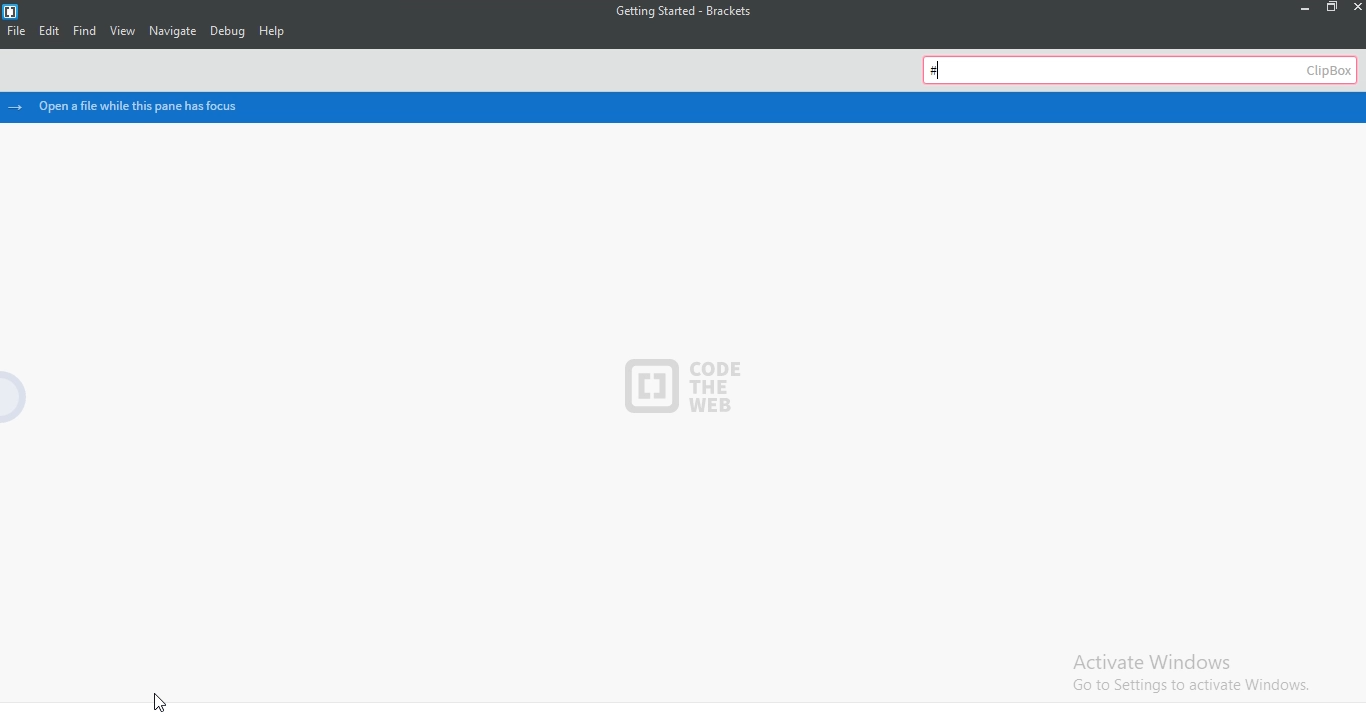 The image size is (1366, 724). Describe the element at coordinates (1357, 11) in the screenshot. I see `close` at that location.